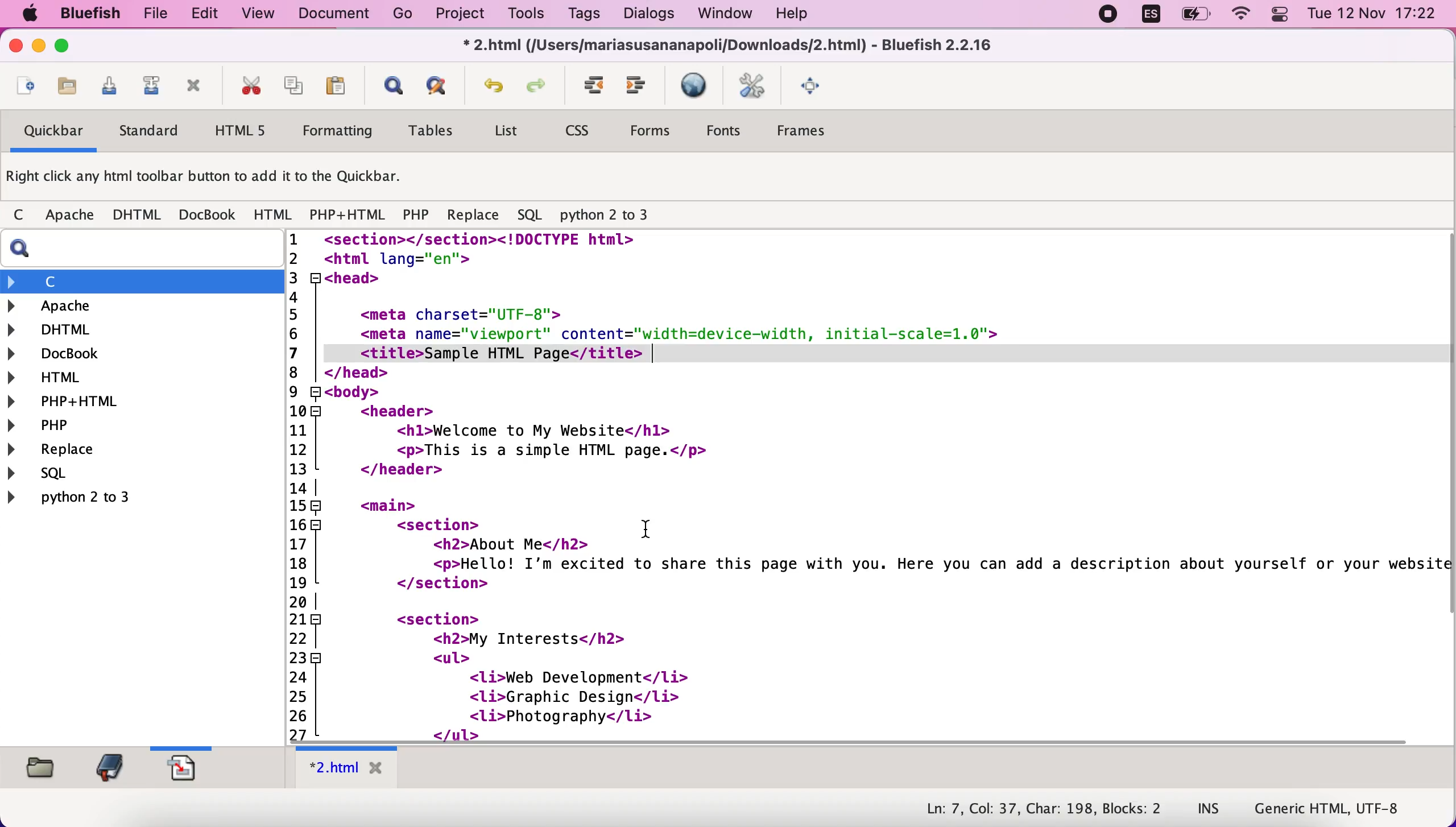  What do you see at coordinates (437, 131) in the screenshot?
I see `tables` at bounding box center [437, 131].